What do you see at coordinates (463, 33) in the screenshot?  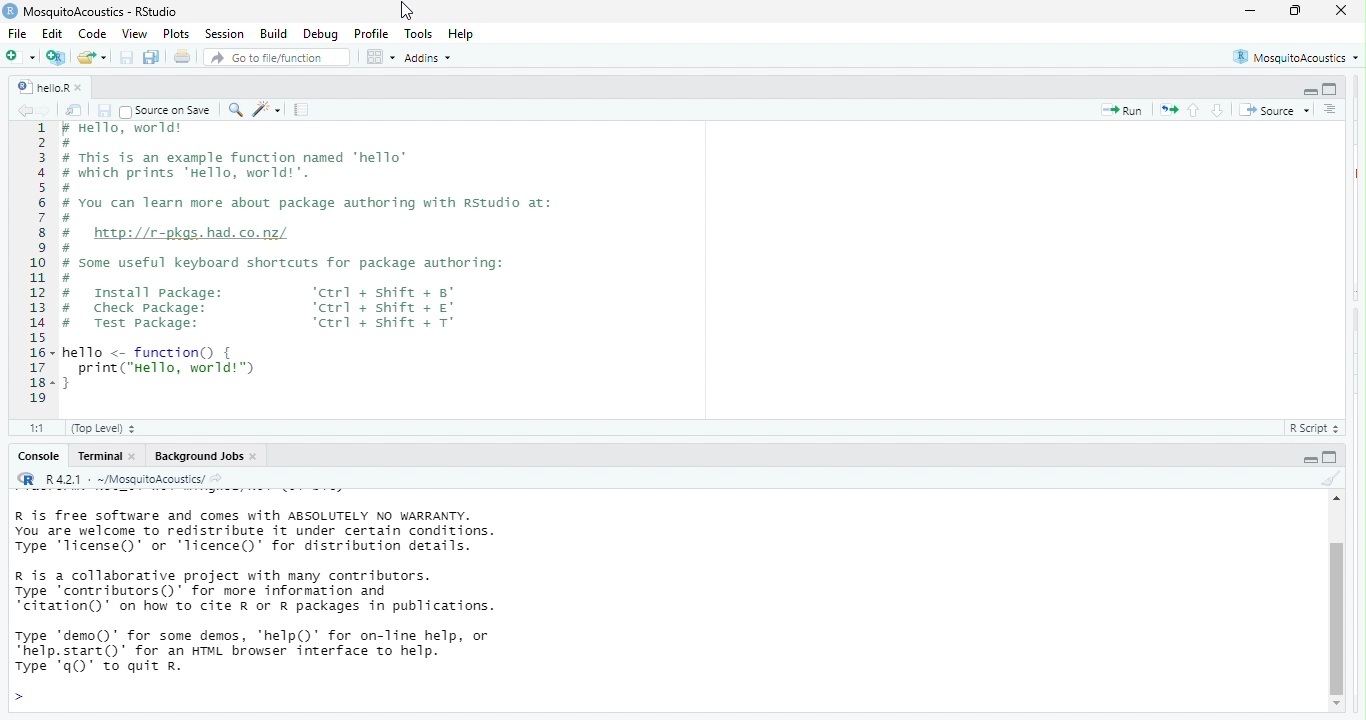 I see `Help` at bounding box center [463, 33].